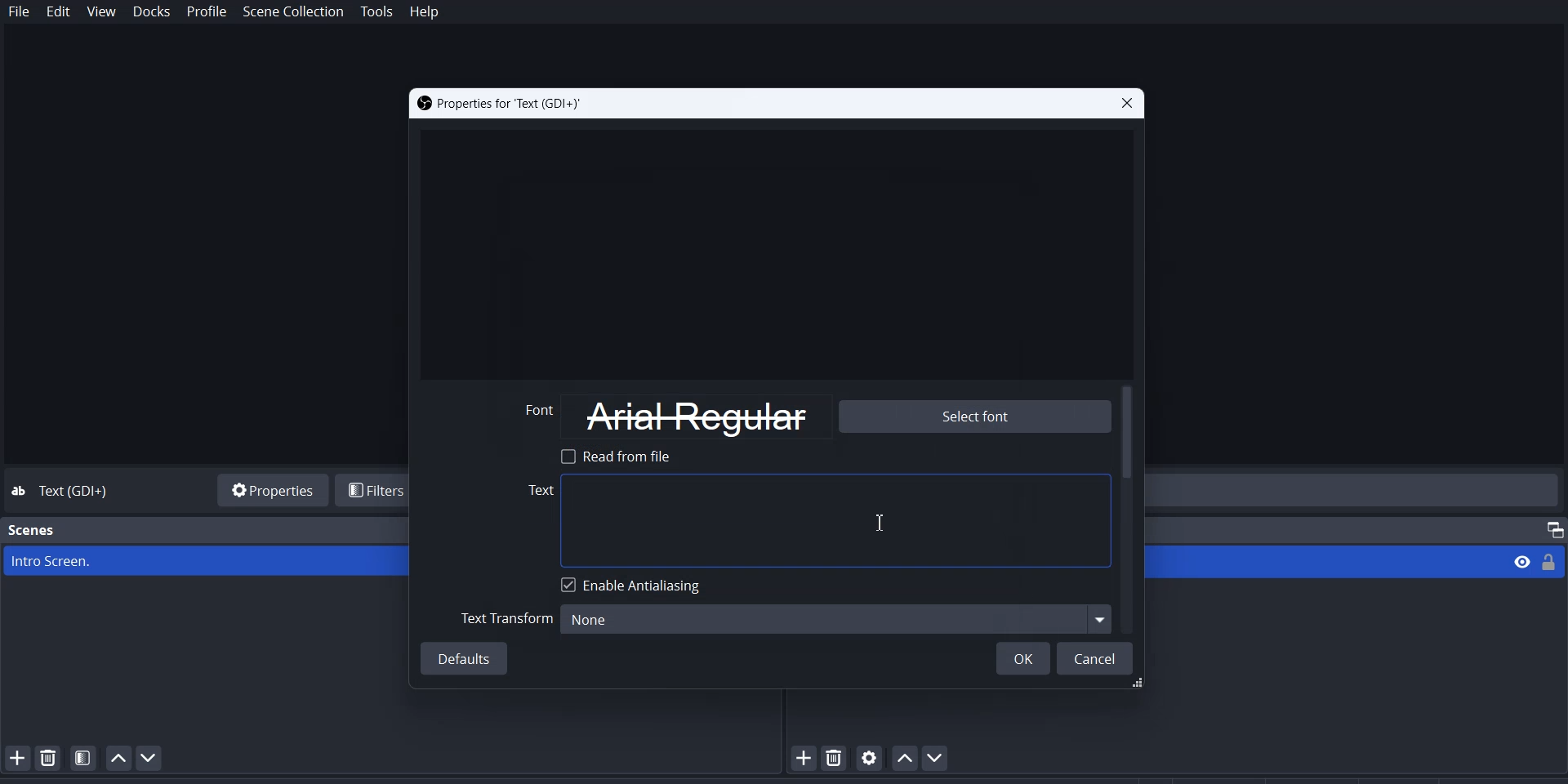 This screenshot has height=784, width=1568. I want to click on Properties, so click(269, 488).